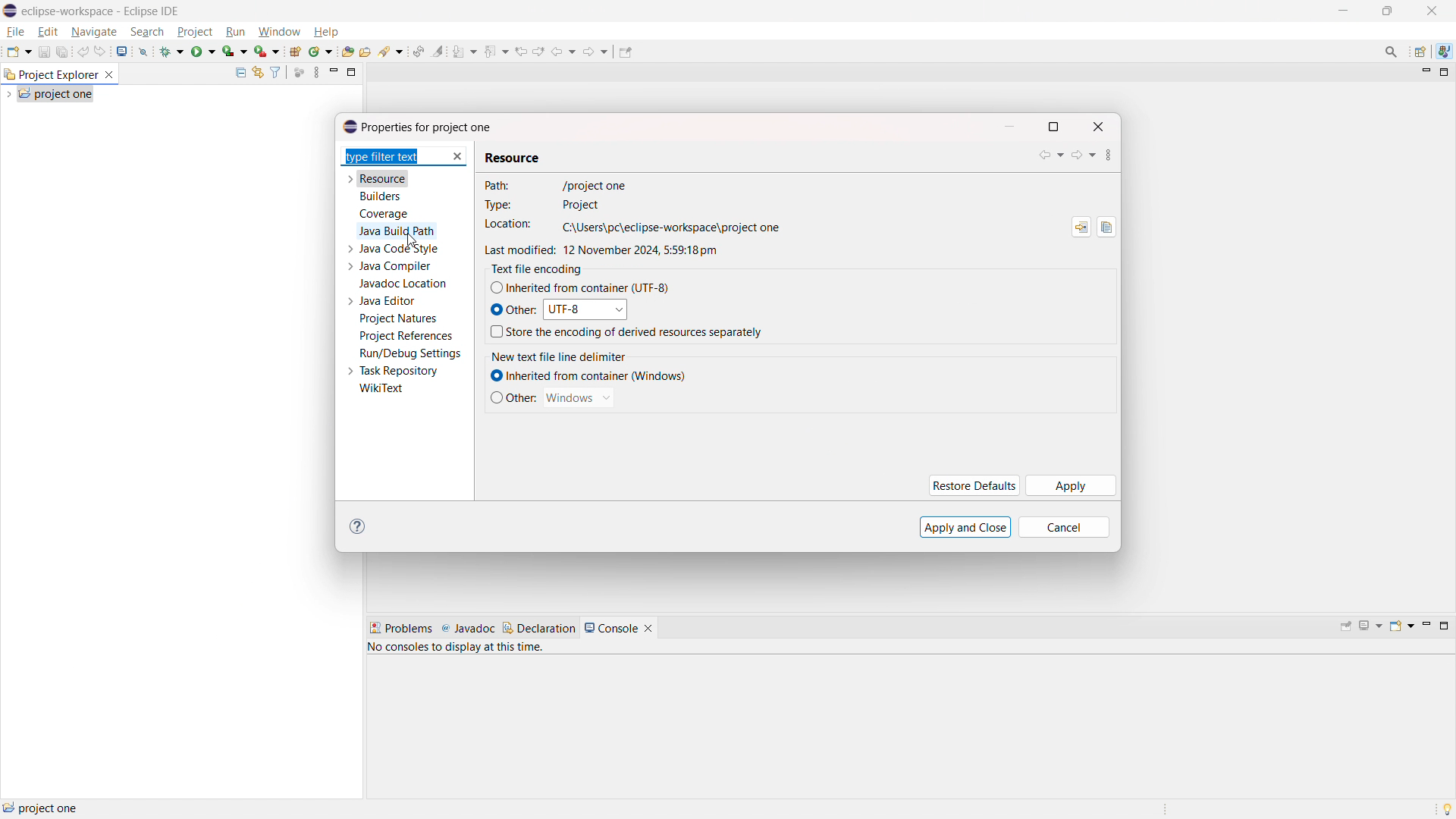 The image size is (1456, 819). What do you see at coordinates (400, 249) in the screenshot?
I see `java code style` at bounding box center [400, 249].